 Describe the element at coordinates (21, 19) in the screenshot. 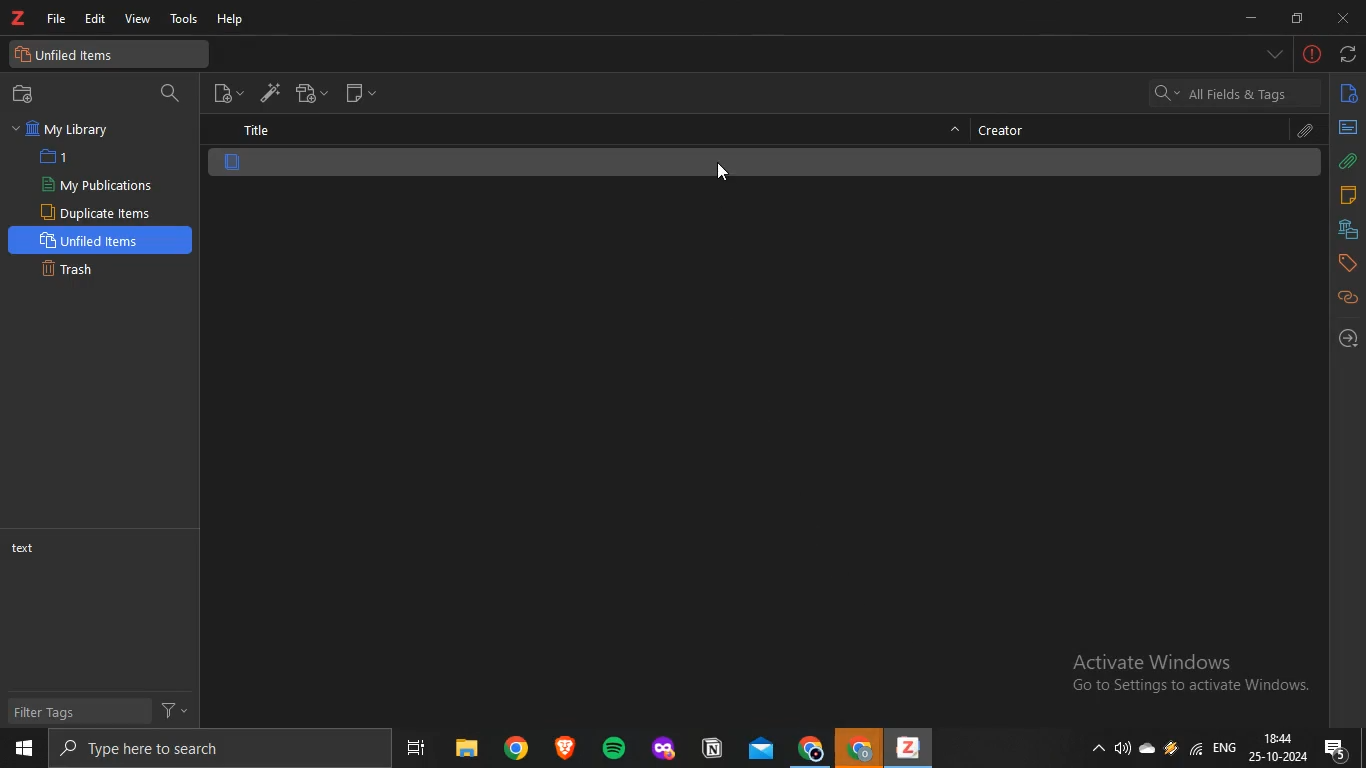

I see `text` at that location.